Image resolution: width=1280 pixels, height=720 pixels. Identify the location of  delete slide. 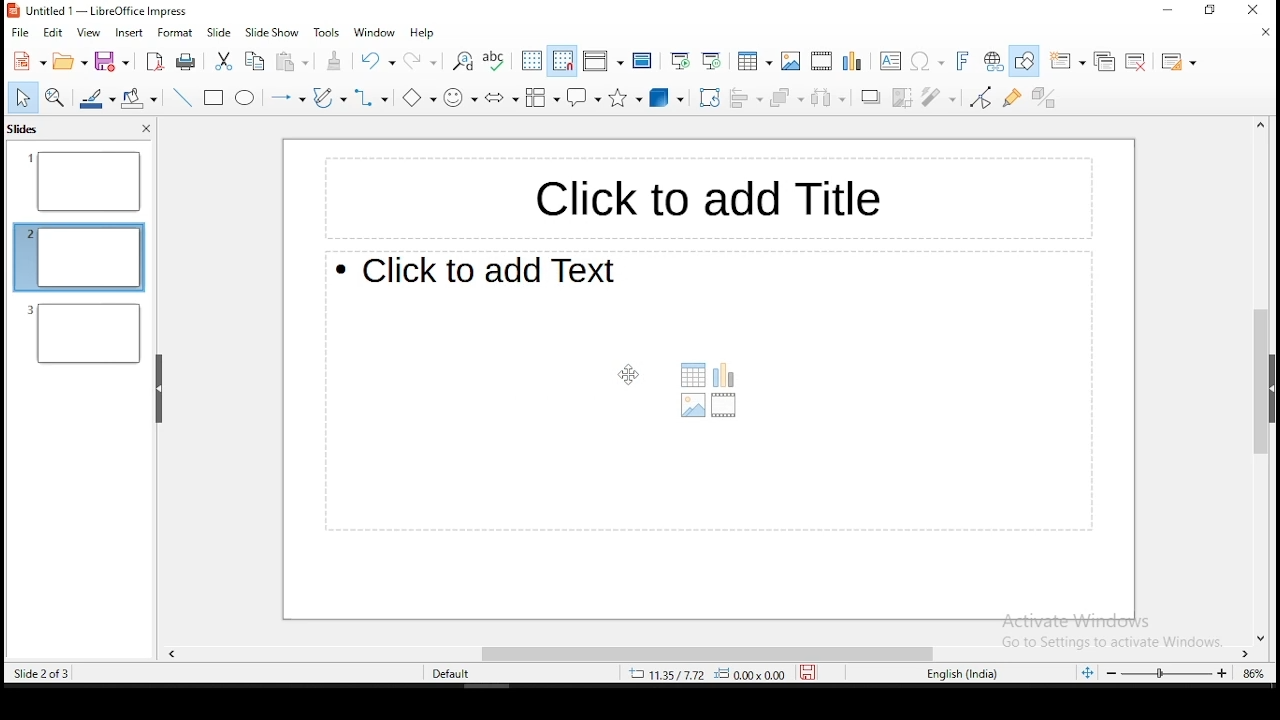
(1136, 61).